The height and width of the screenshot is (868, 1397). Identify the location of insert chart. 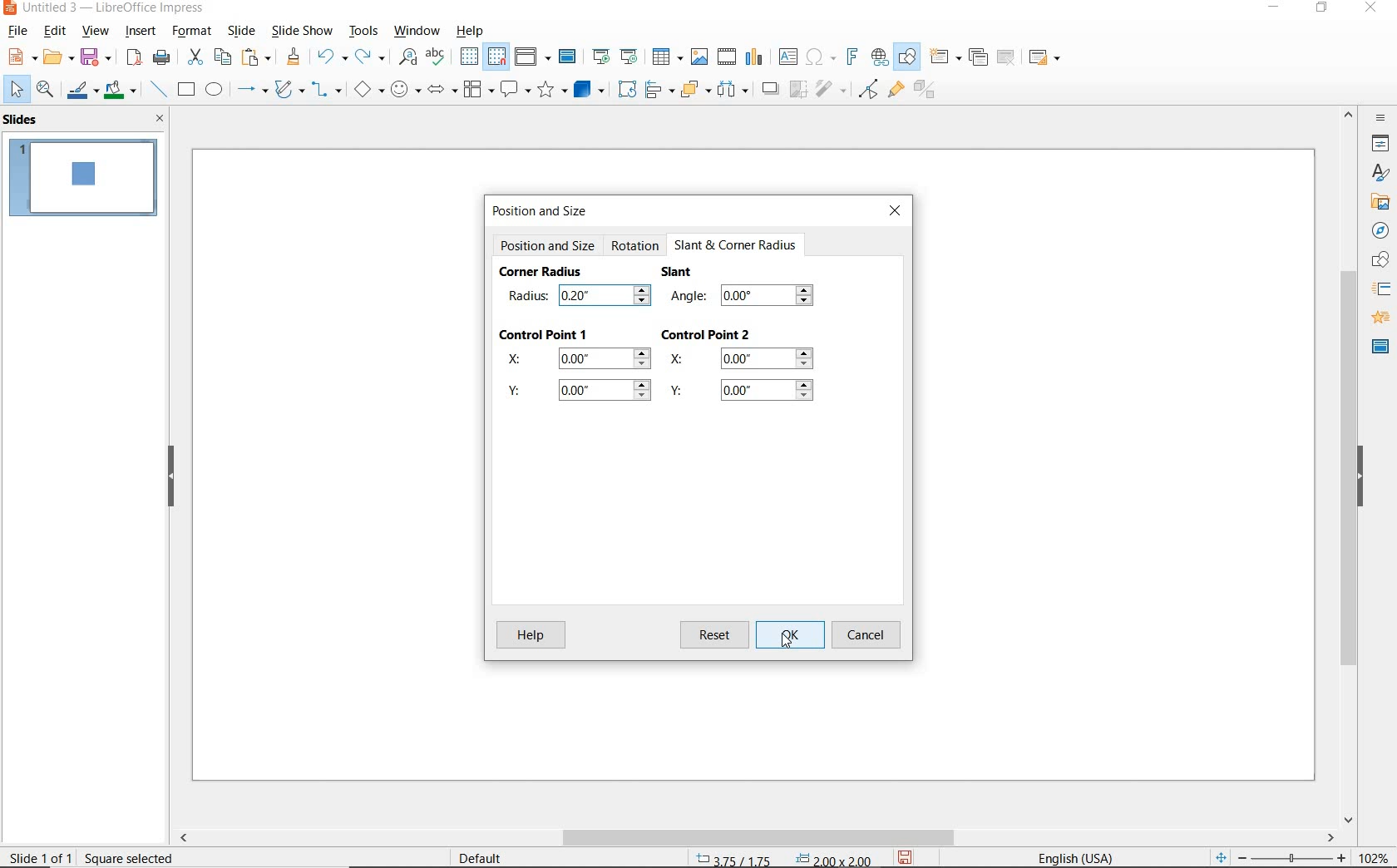
(757, 57).